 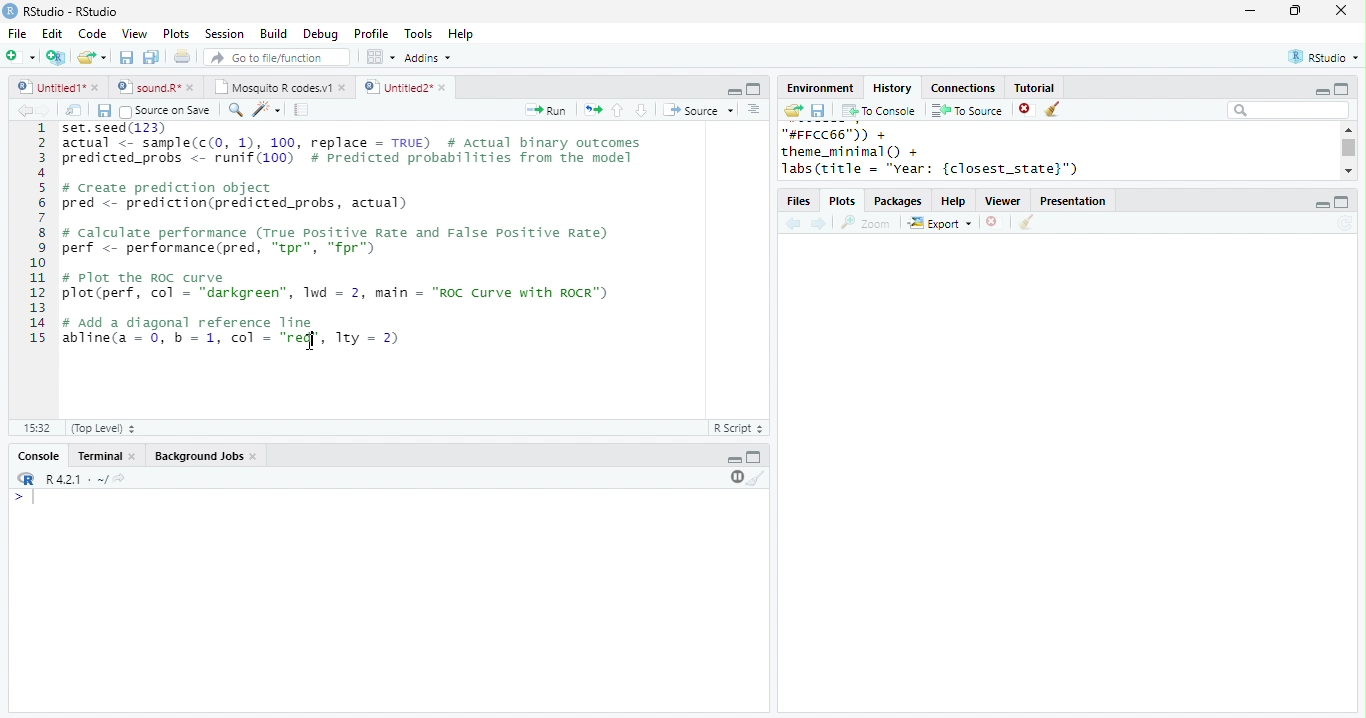 What do you see at coordinates (355, 148) in the screenshot?
I see `set.seed(123) actual <- sample(c(0, 1), 100, replace = TRUE) # Actual binary outcomespredicted probs < runif(100) # Predicted probabilities from the model` at bounding box center [355, 148].